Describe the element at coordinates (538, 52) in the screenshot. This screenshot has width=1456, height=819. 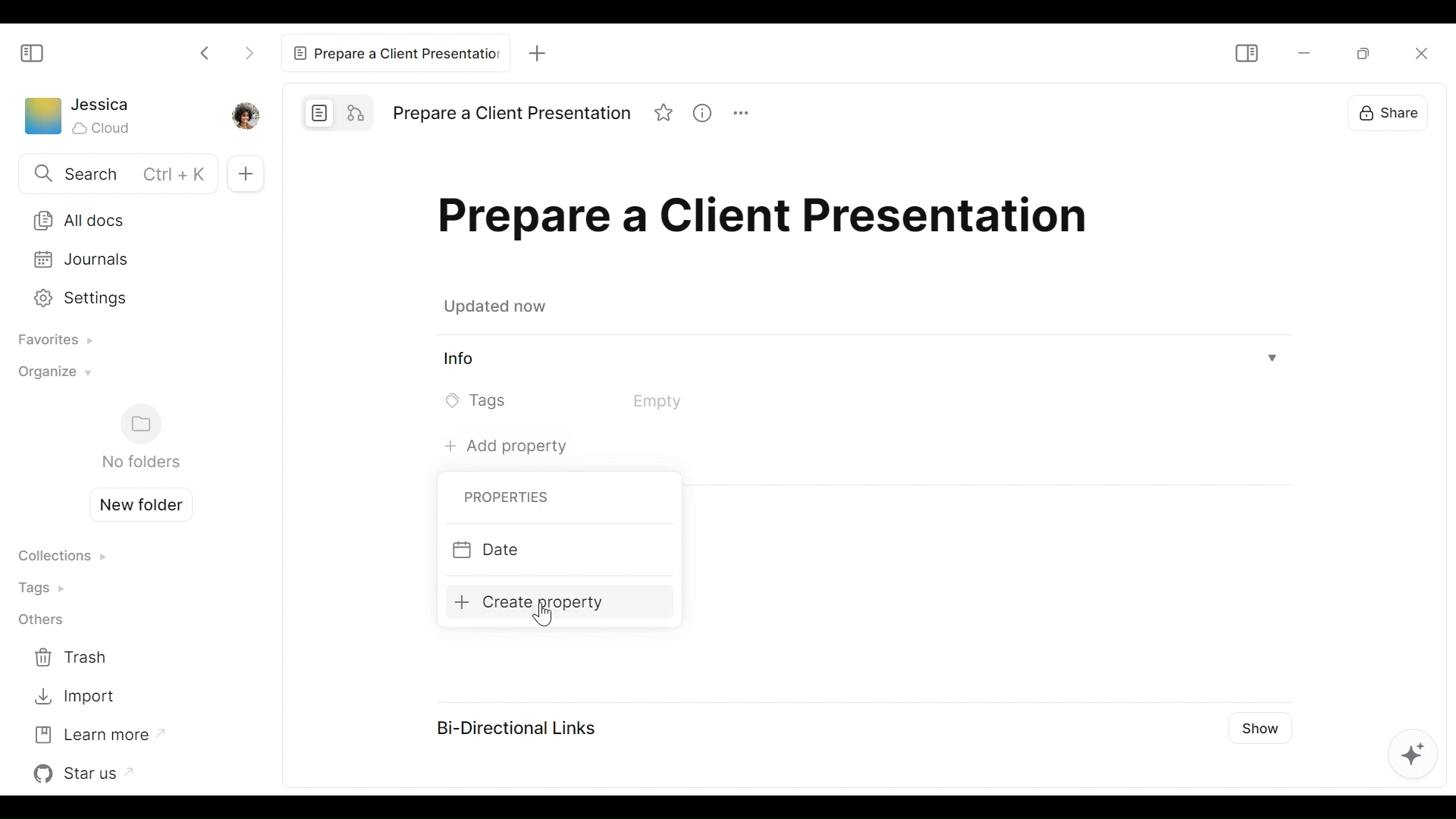
I see `New Tab` at that location.